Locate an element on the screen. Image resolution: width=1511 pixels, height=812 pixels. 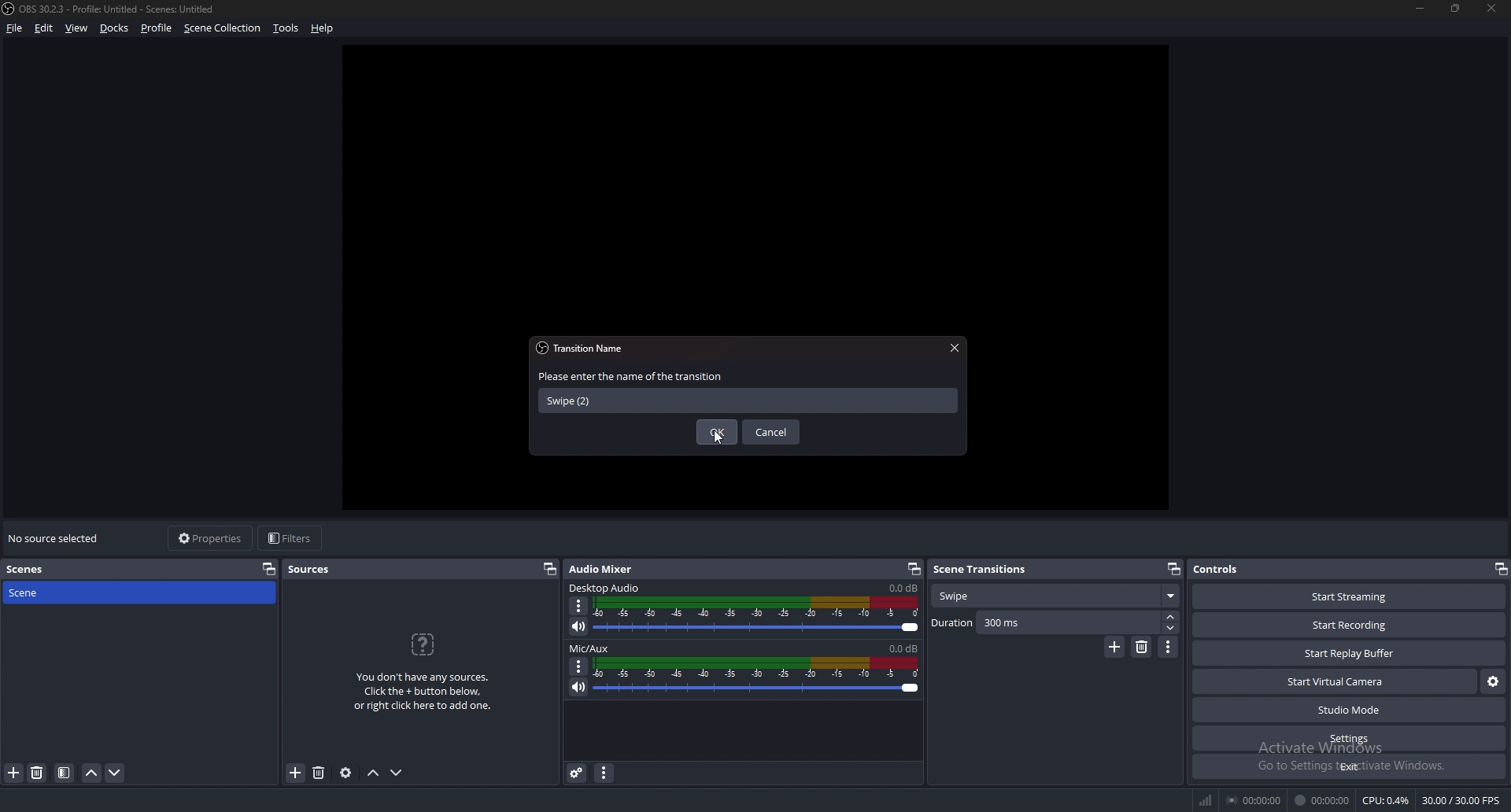
start recording is located at coordinates (1350, 626).